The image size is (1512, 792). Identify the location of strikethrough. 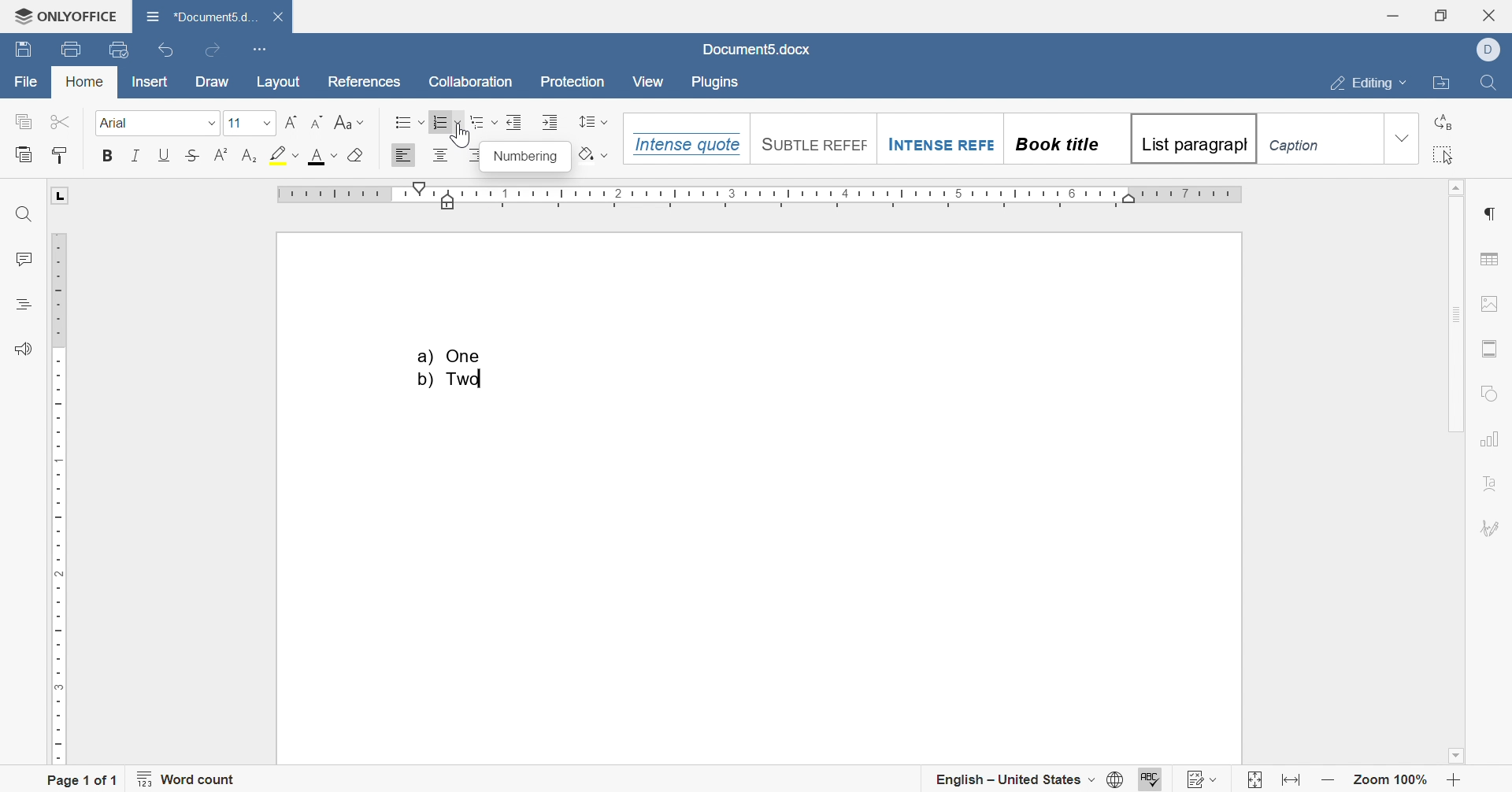
(191, 155).